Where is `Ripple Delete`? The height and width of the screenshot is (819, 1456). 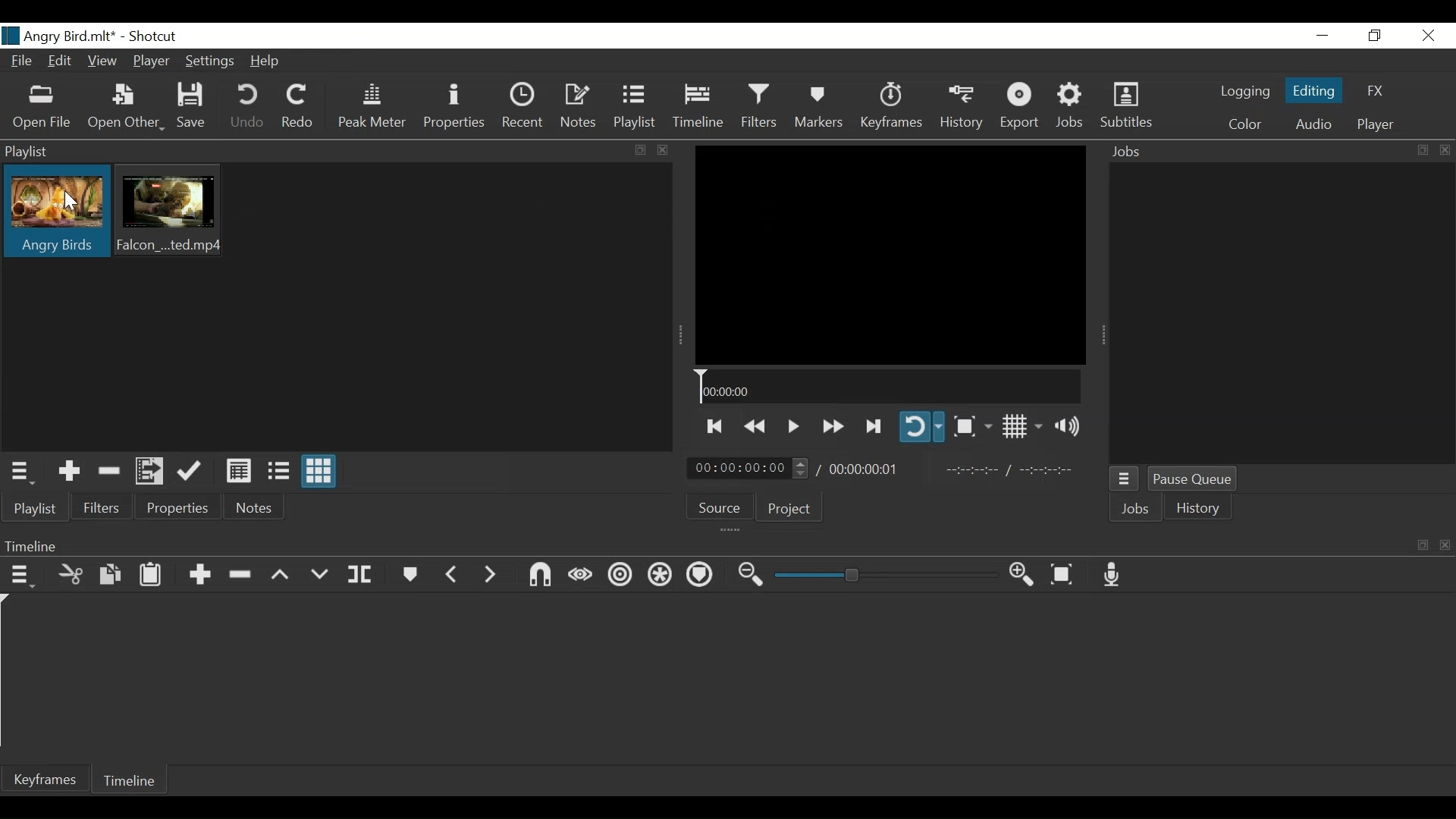
Ripple Delete is located at coordinates (242, 573).